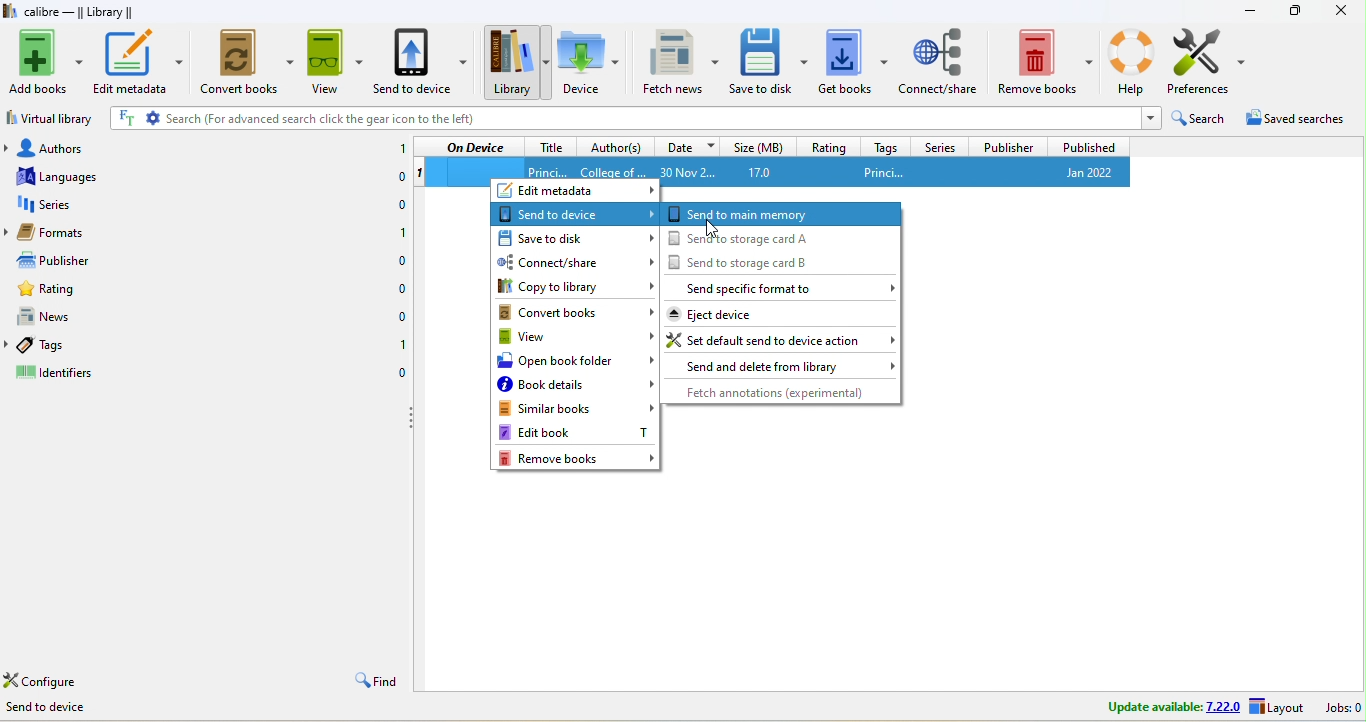 The height and width of the screenshot is (722, 1366). I want to click on minimize, so click(1250, 10).